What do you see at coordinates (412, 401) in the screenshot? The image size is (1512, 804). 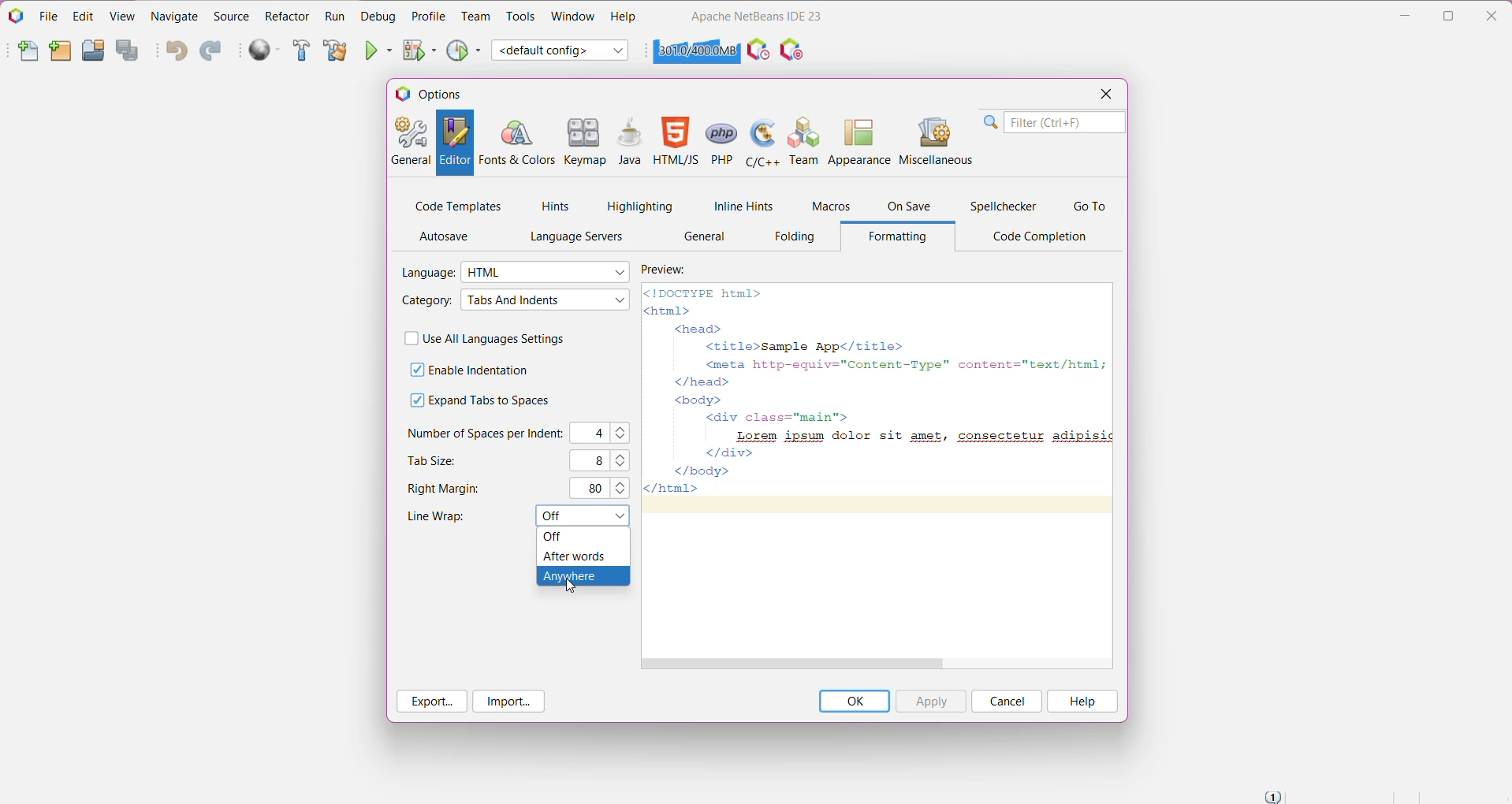 I see `check box` at bounding box center [412, 401].